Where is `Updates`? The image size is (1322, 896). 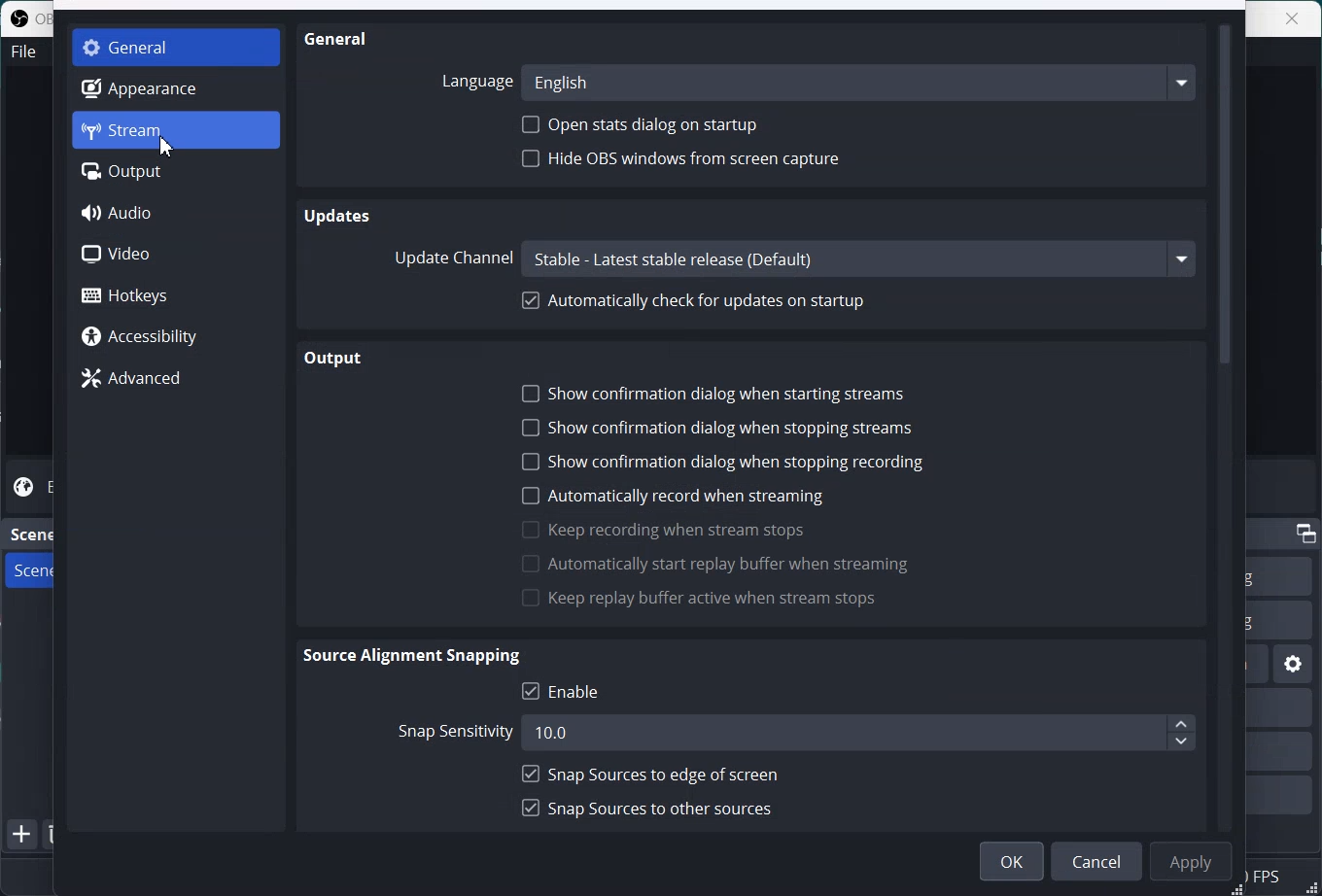 Updates is located at coordinates (335, 215).